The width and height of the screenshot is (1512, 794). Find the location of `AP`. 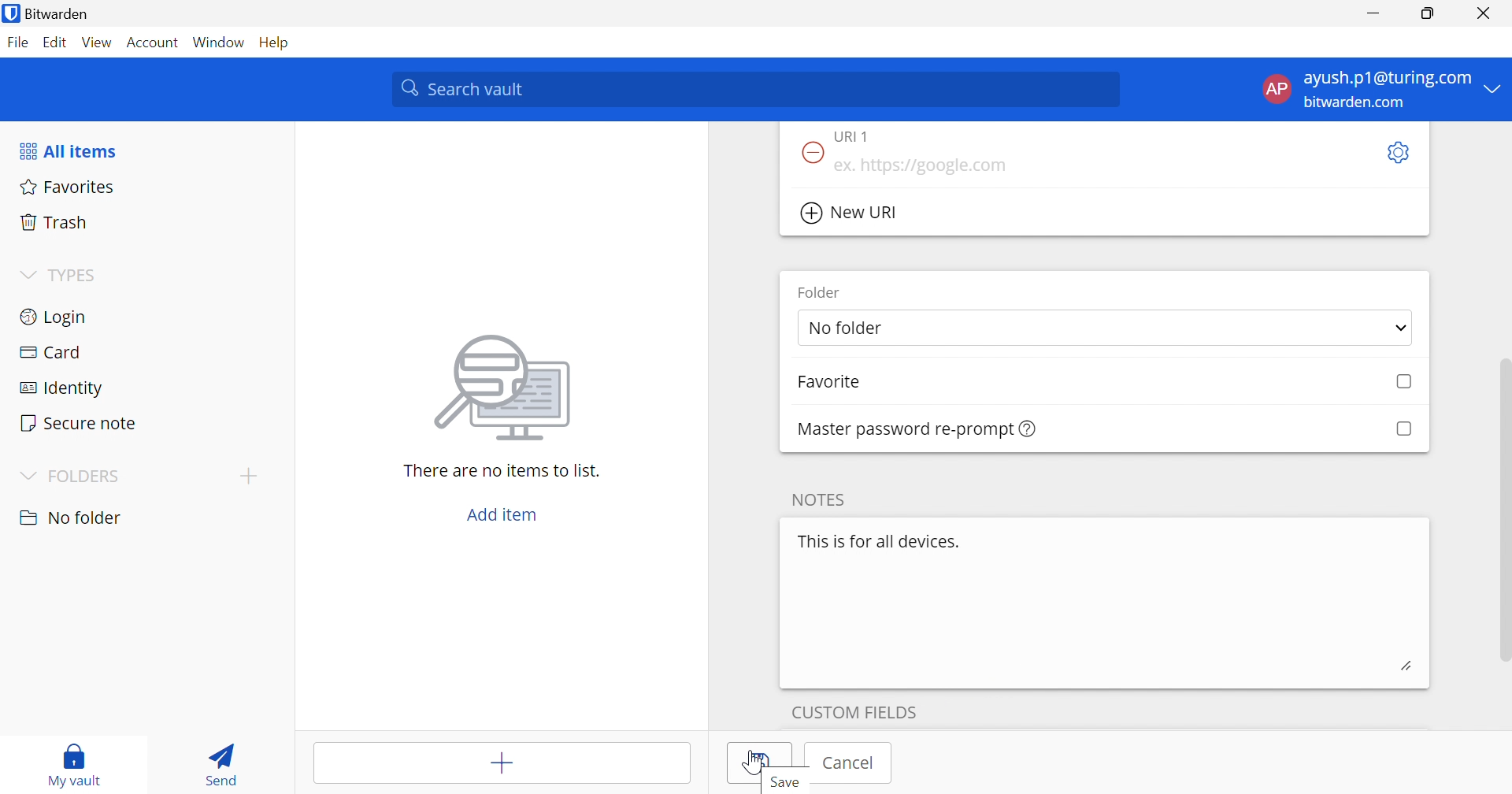

AP is located at coordinates (1275, 92).